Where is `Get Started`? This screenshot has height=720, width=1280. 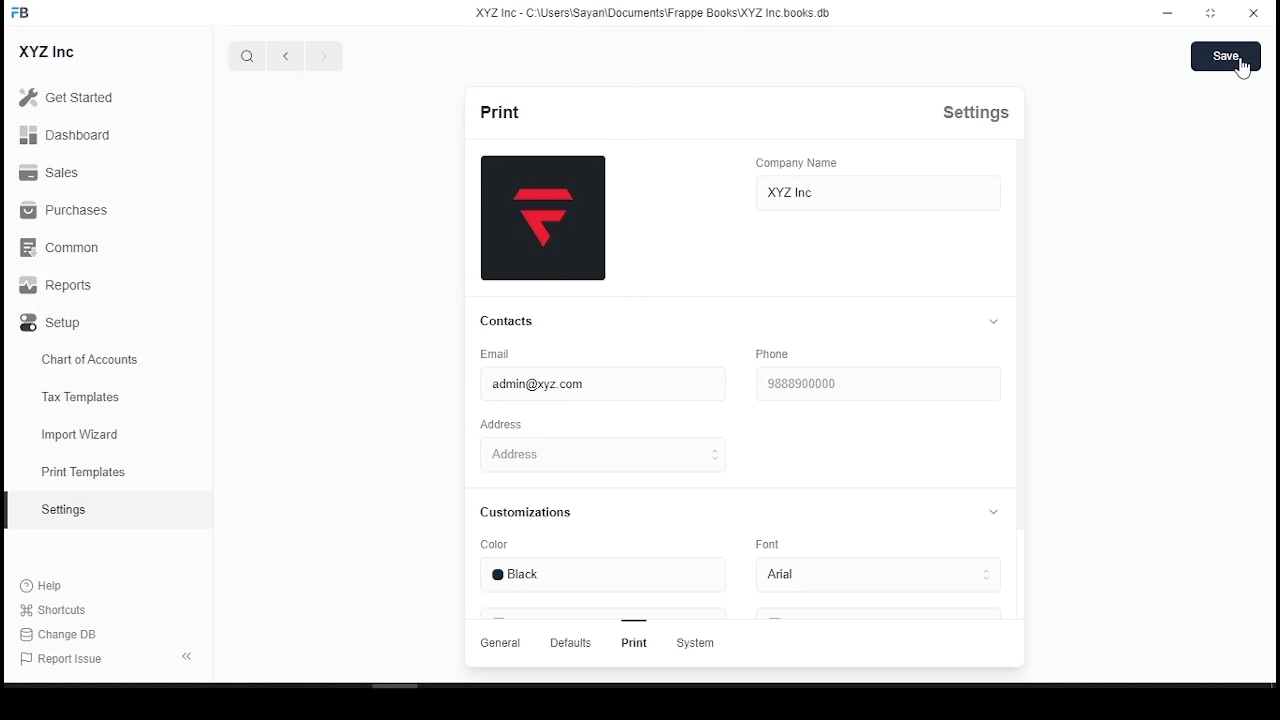 Get Started is located at coordinates (73, 97).